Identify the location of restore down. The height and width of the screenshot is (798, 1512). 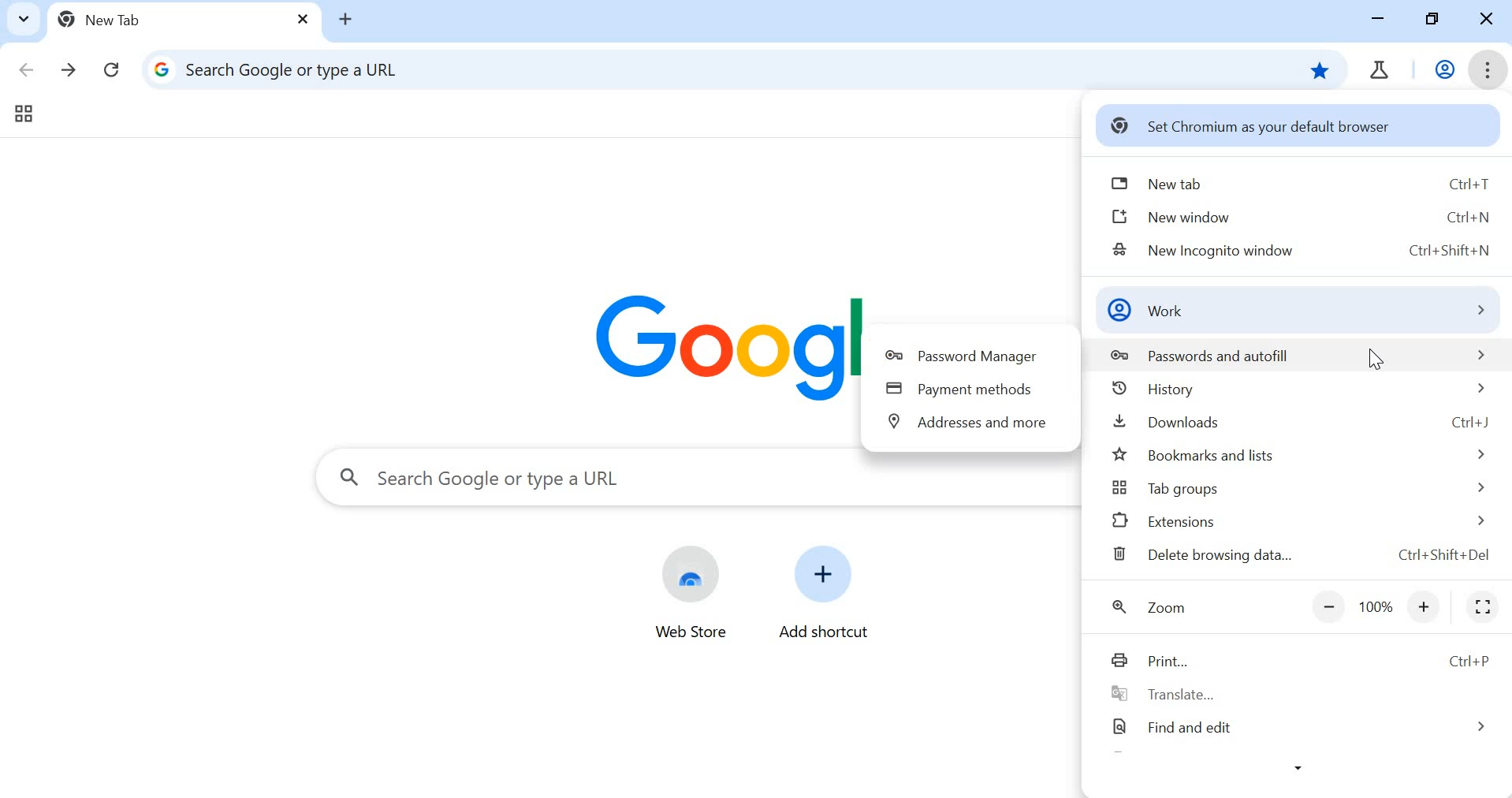
(1433, 20).